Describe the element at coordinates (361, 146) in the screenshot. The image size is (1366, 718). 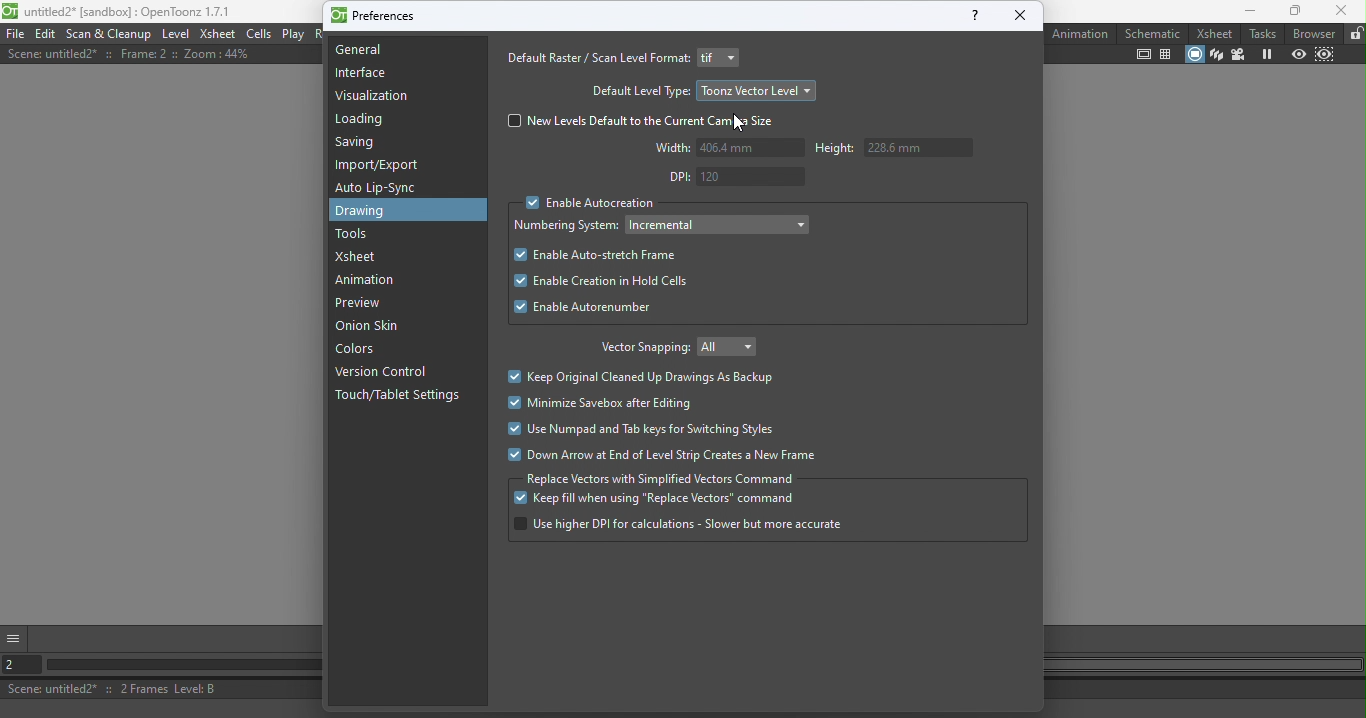
I see `Saving` at that location.